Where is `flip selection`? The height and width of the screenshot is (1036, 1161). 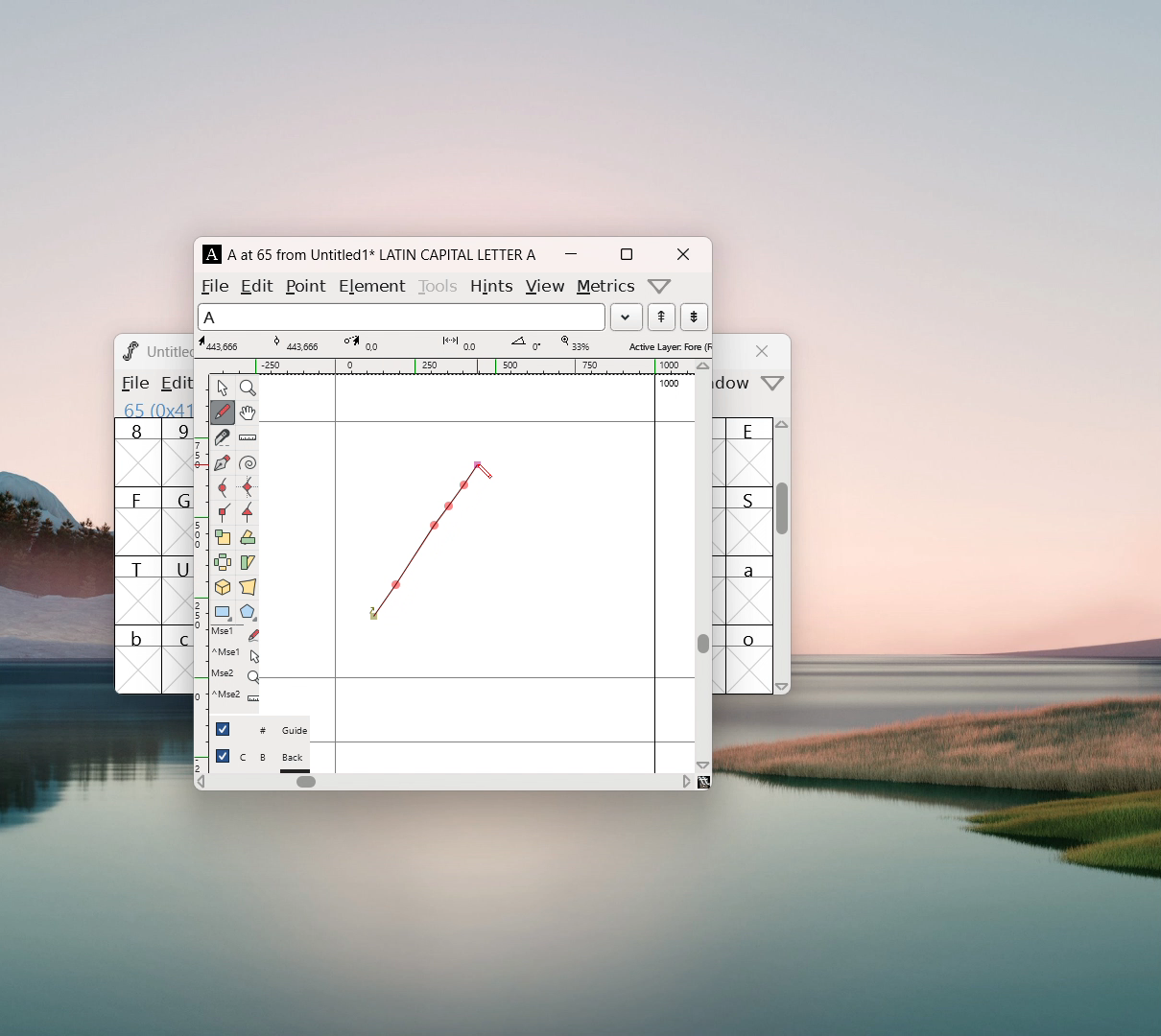 flip selection is located at coordinates (223, 565).